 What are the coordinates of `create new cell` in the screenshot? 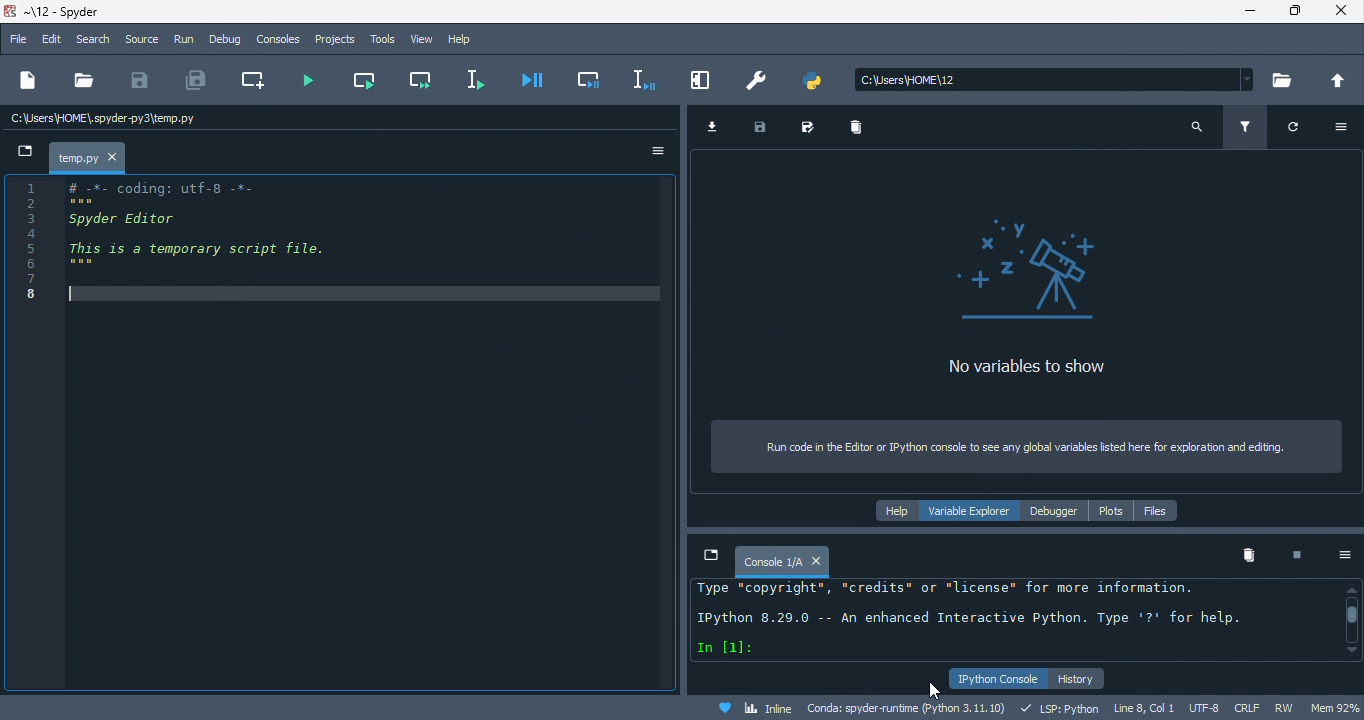 It's located at (258, 82).